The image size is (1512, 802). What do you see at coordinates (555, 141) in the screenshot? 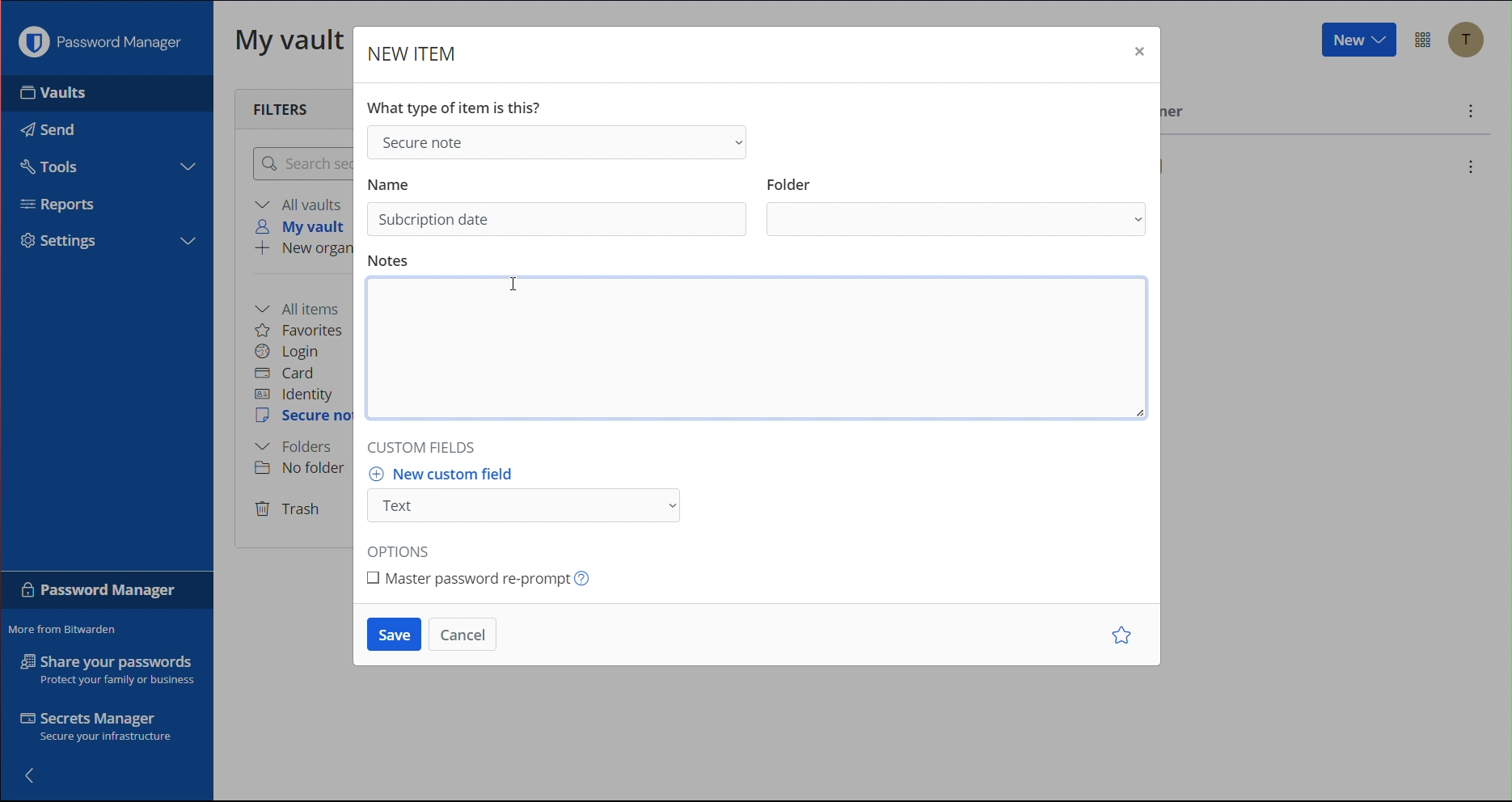
I see `Secure note` at bounding box center [555, 141].